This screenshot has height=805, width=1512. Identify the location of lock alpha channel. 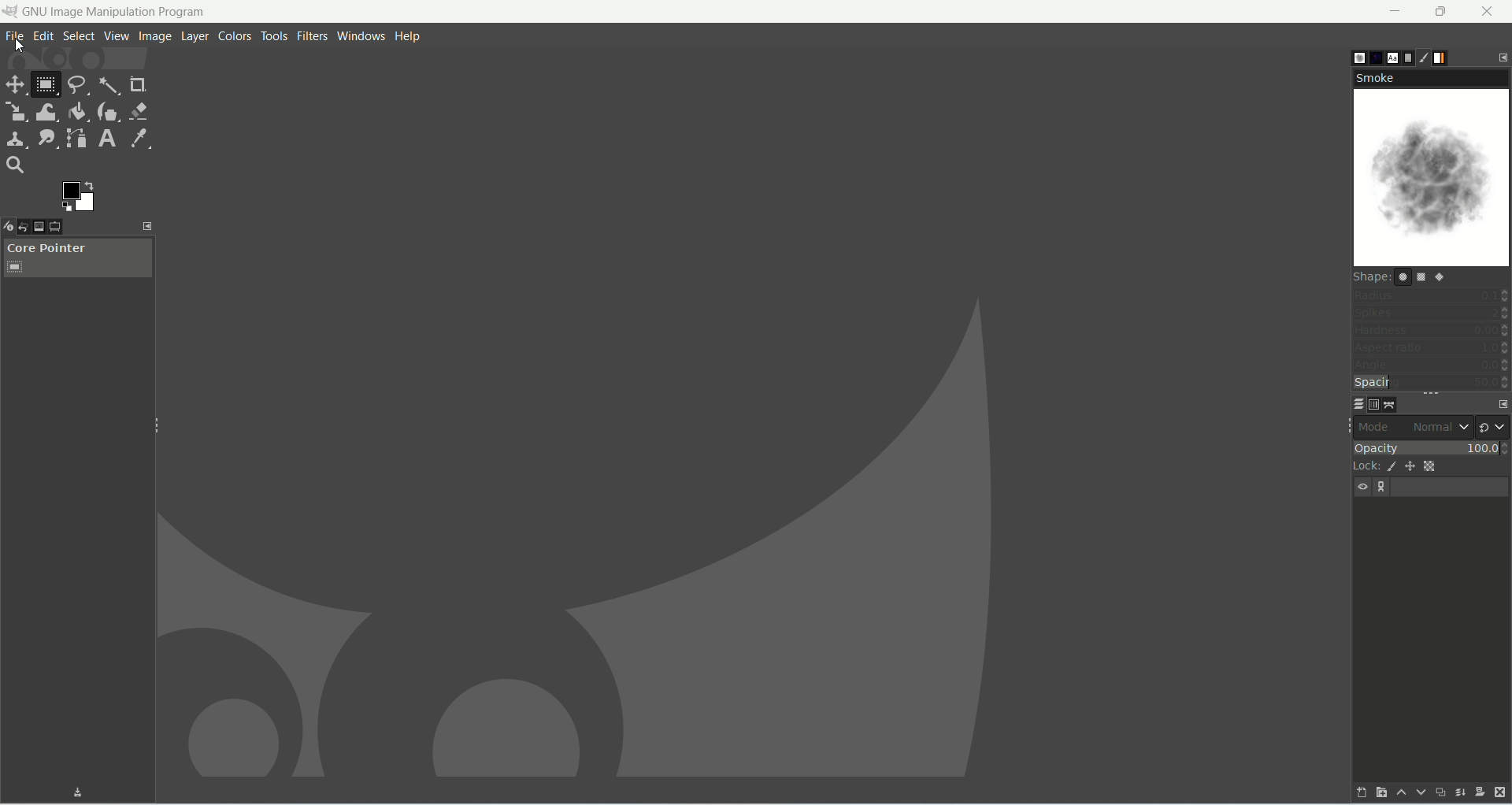
(1429, 467).